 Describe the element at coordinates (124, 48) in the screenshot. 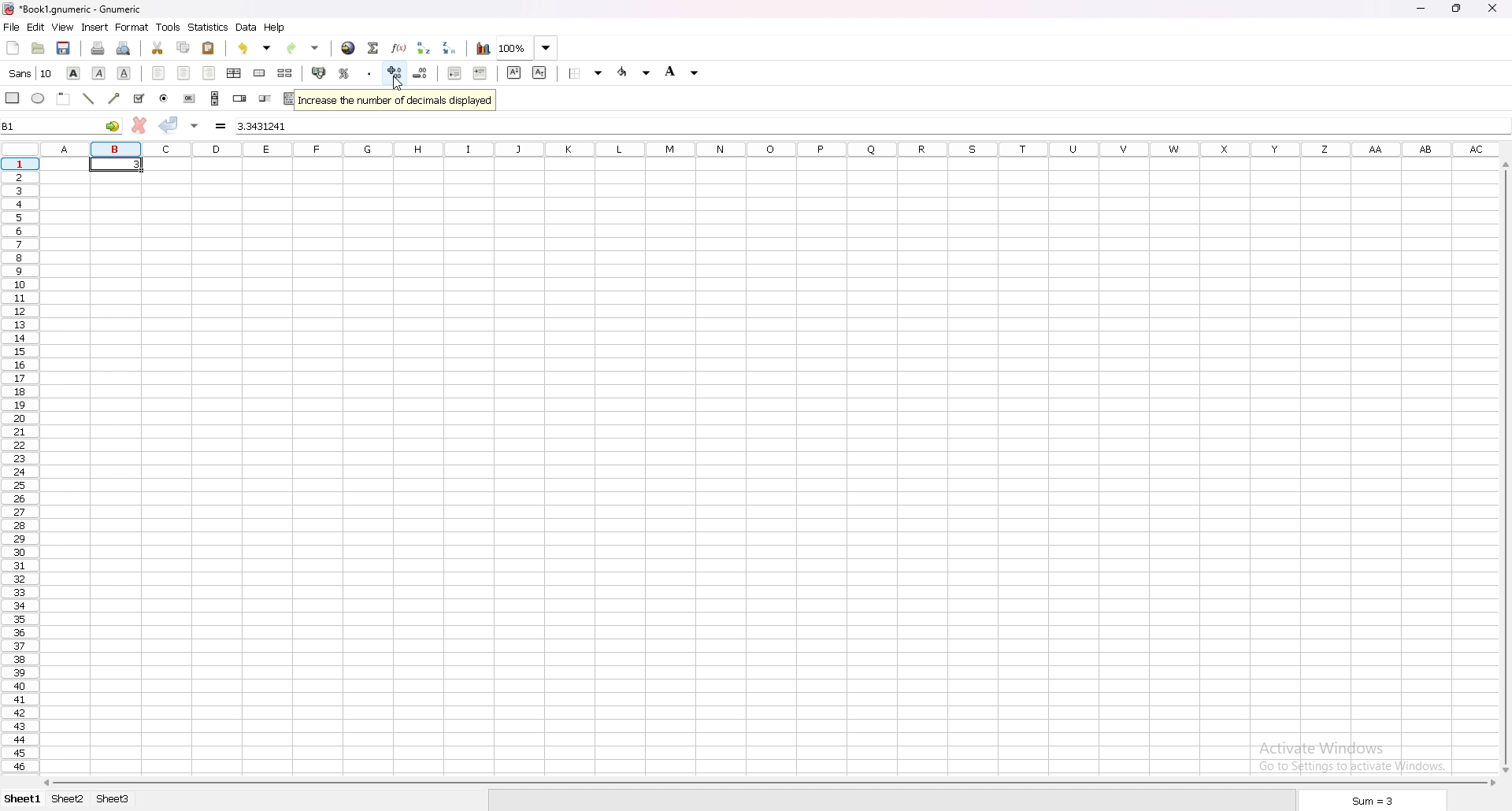

I see `print preview` at that location.